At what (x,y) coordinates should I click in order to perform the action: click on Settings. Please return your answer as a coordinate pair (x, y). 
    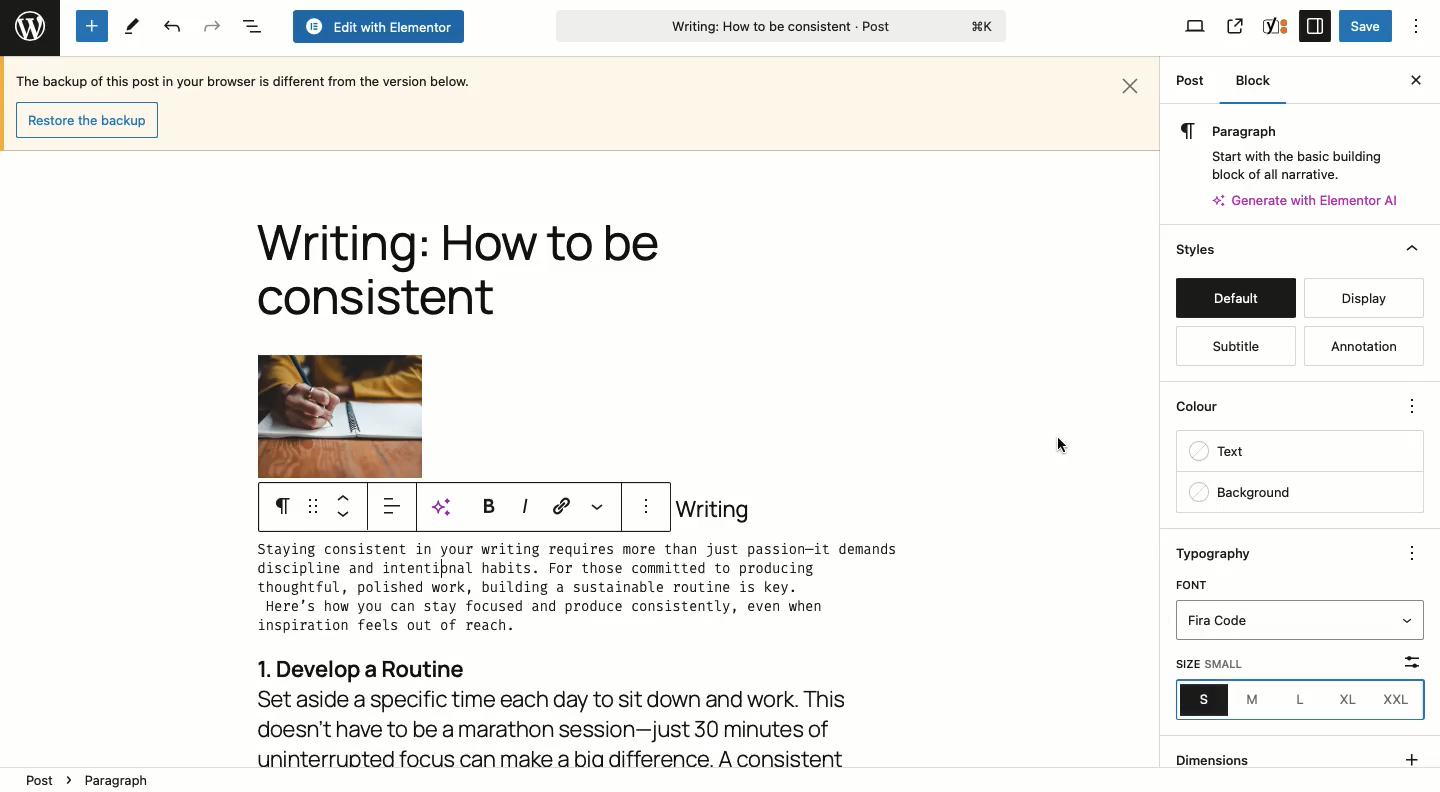
    Looking at the image, I should click on (1314, 25).